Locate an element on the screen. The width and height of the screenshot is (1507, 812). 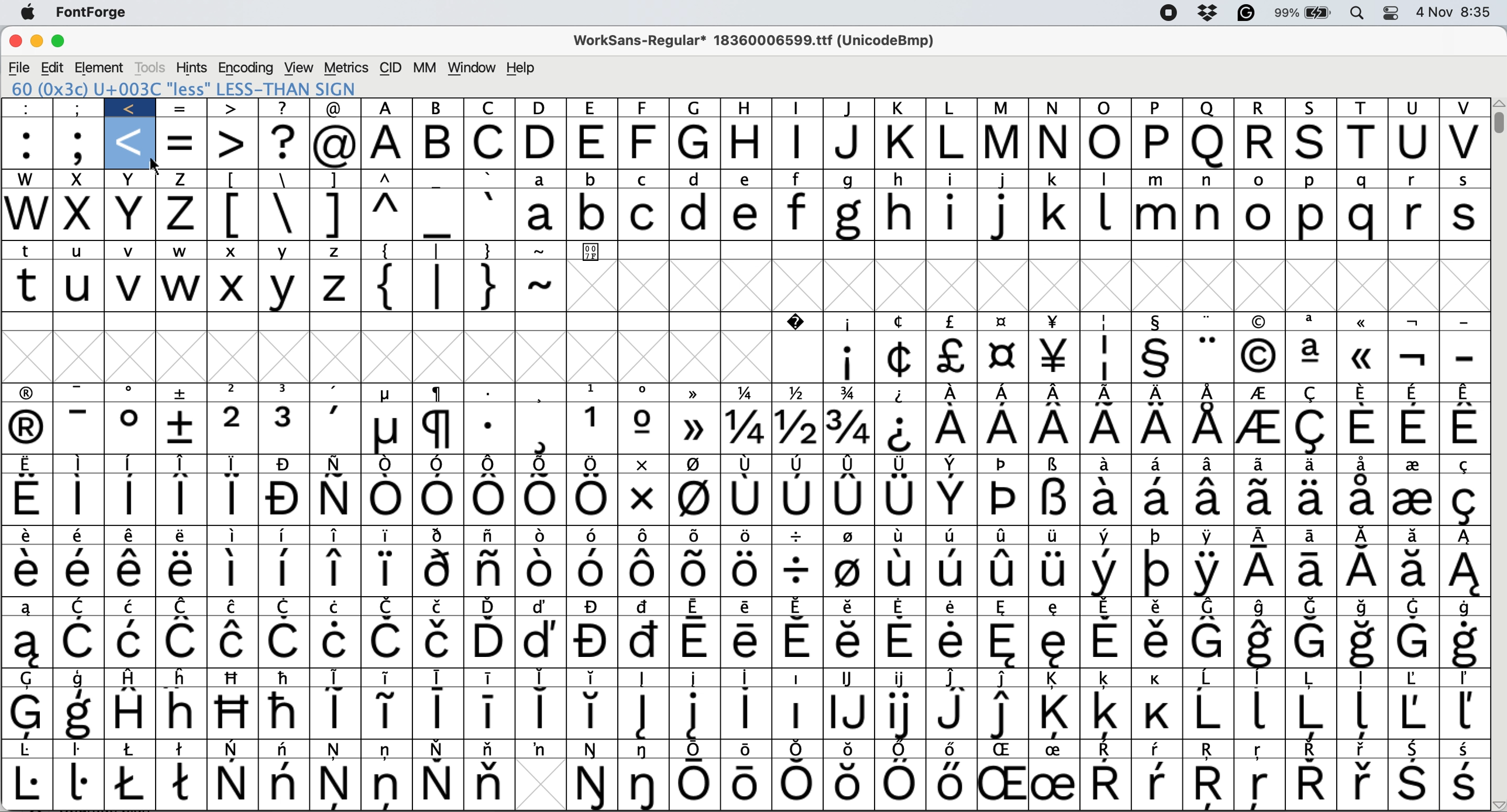
t is located at coordinates (1363, 143).